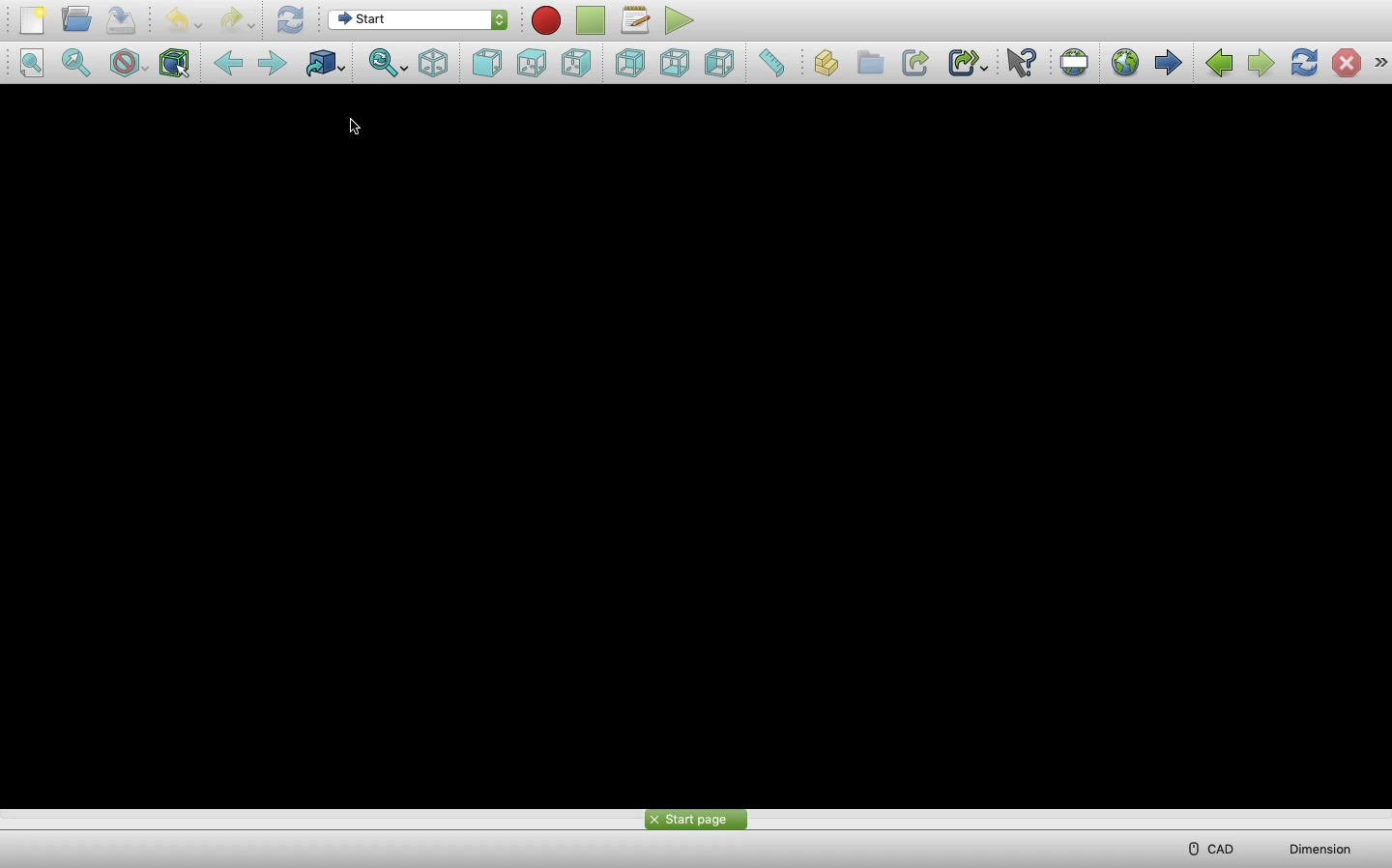 The width and height of the screenshot is (1392, 868). I want to click on Right, so click(721, 63).